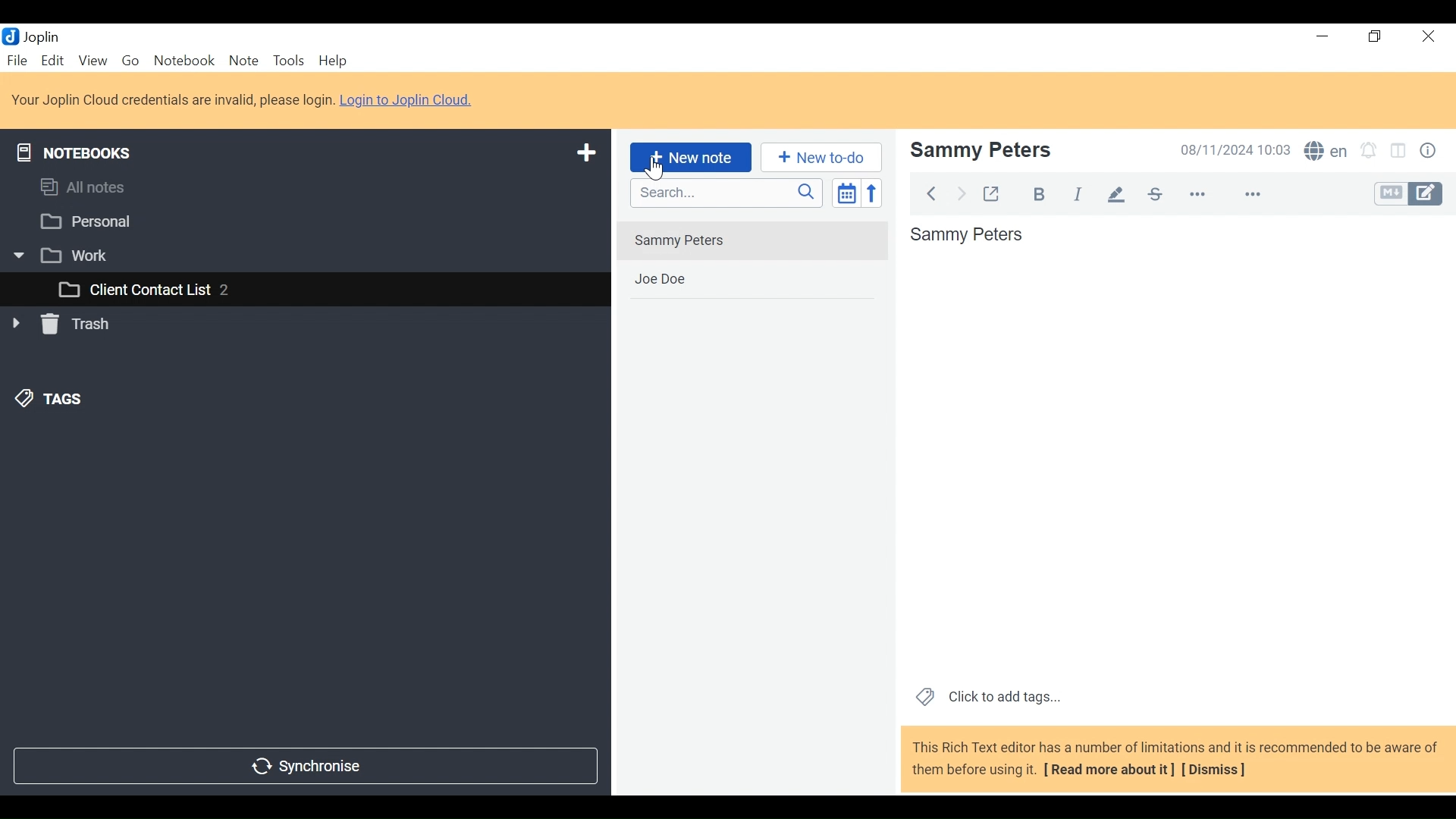 This screenshot has height=819, width=1456. Describe the element at coordinates (331, 61) in the screenshot. I see `Help` at that location.